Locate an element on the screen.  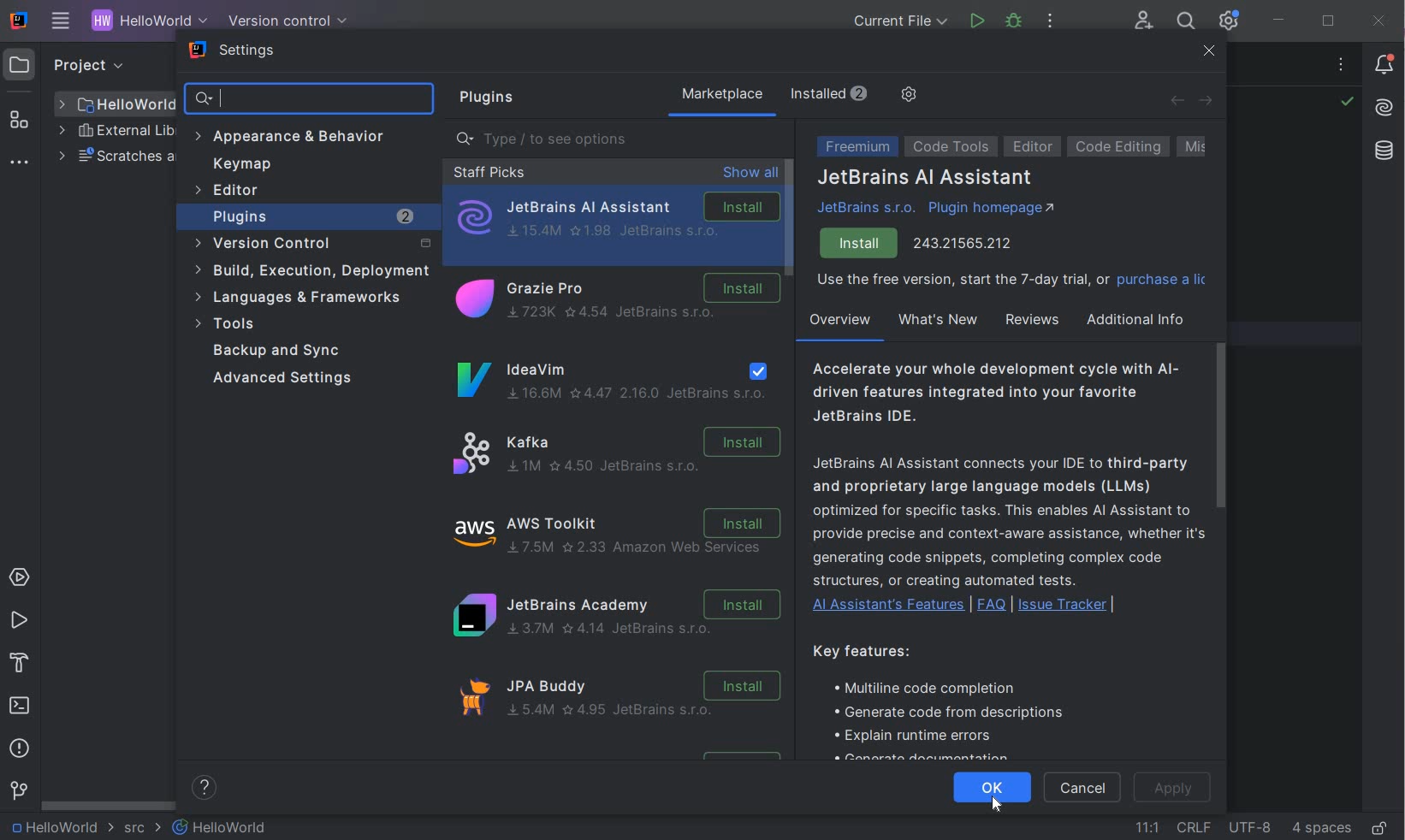
ok is located at coordinates (993, 780).